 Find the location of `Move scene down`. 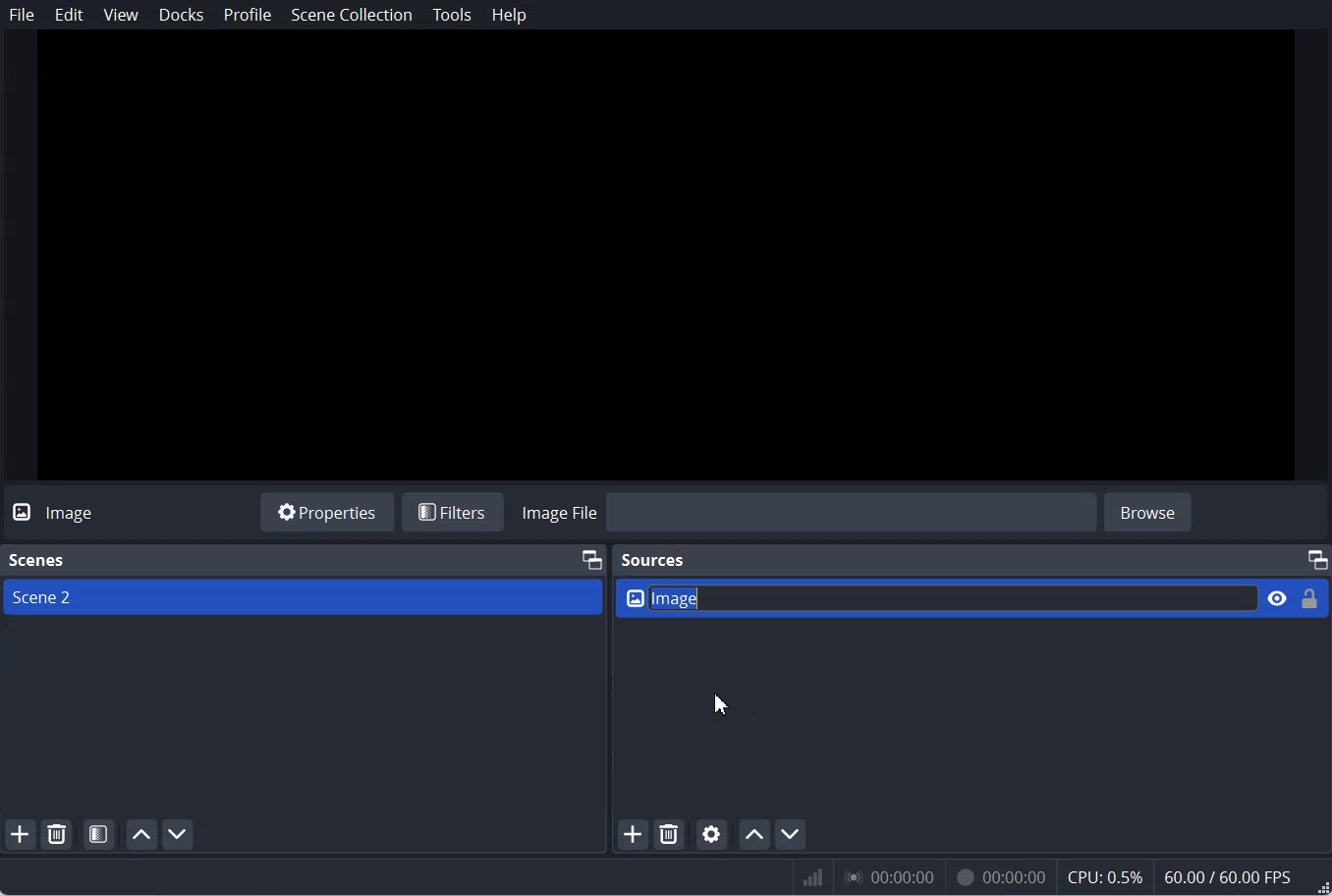

Move scene down is located at coordinates (178, 834).